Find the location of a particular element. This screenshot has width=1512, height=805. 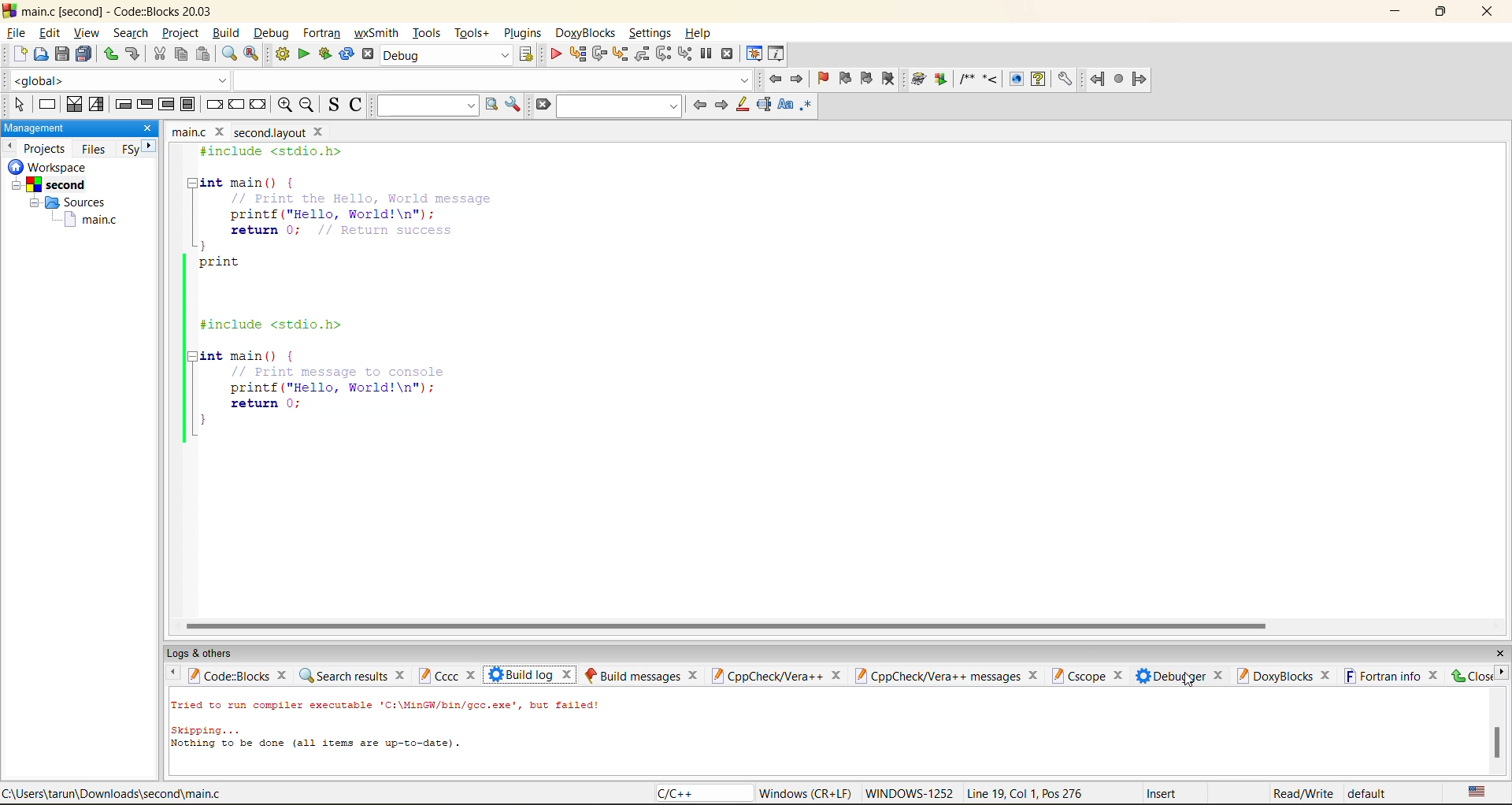

code editor is located at coordinates (400, 295).